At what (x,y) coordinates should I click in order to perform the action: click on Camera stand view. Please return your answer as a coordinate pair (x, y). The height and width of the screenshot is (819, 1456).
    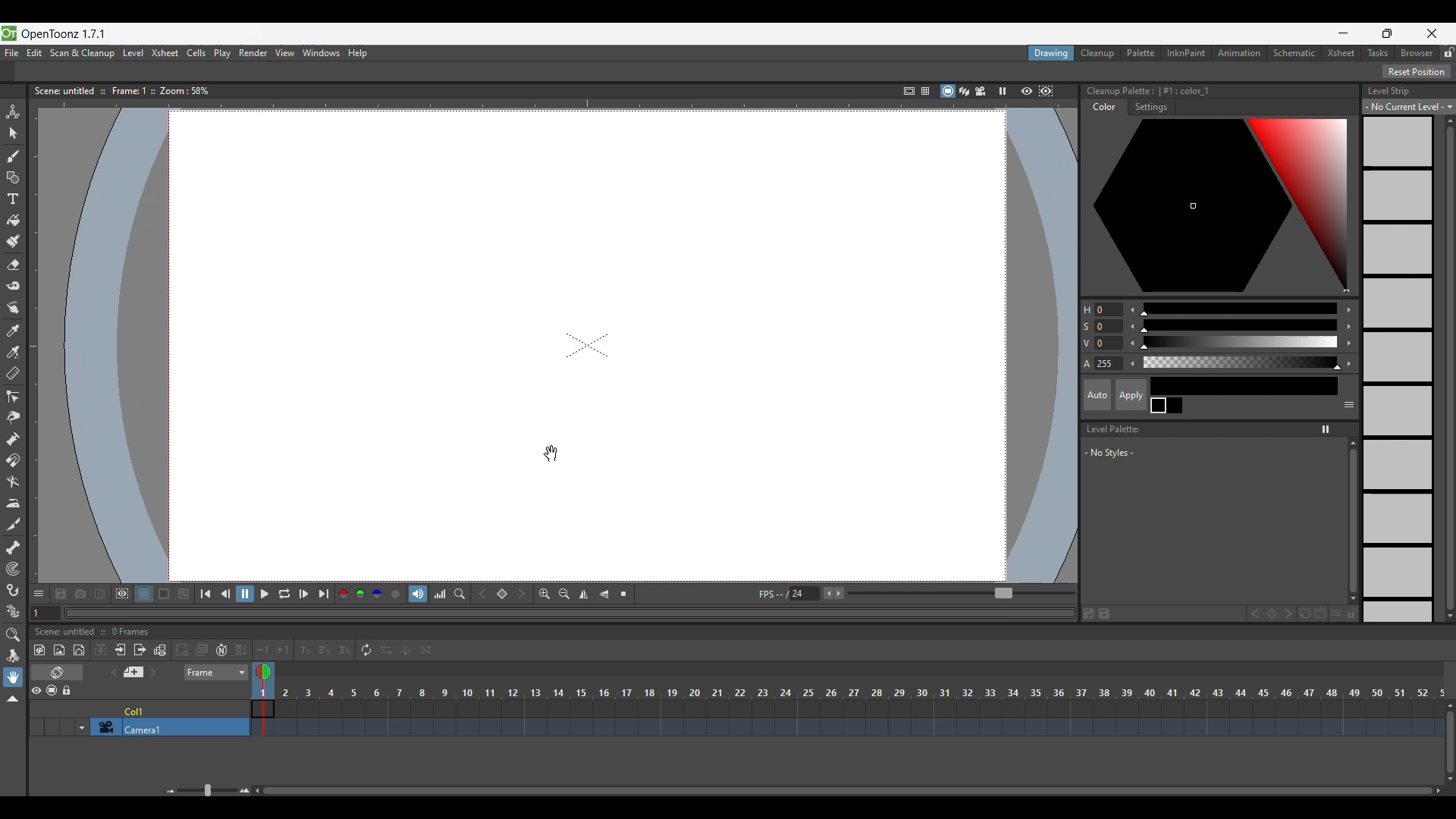
    Looking at the image, I should click on (943, 91).